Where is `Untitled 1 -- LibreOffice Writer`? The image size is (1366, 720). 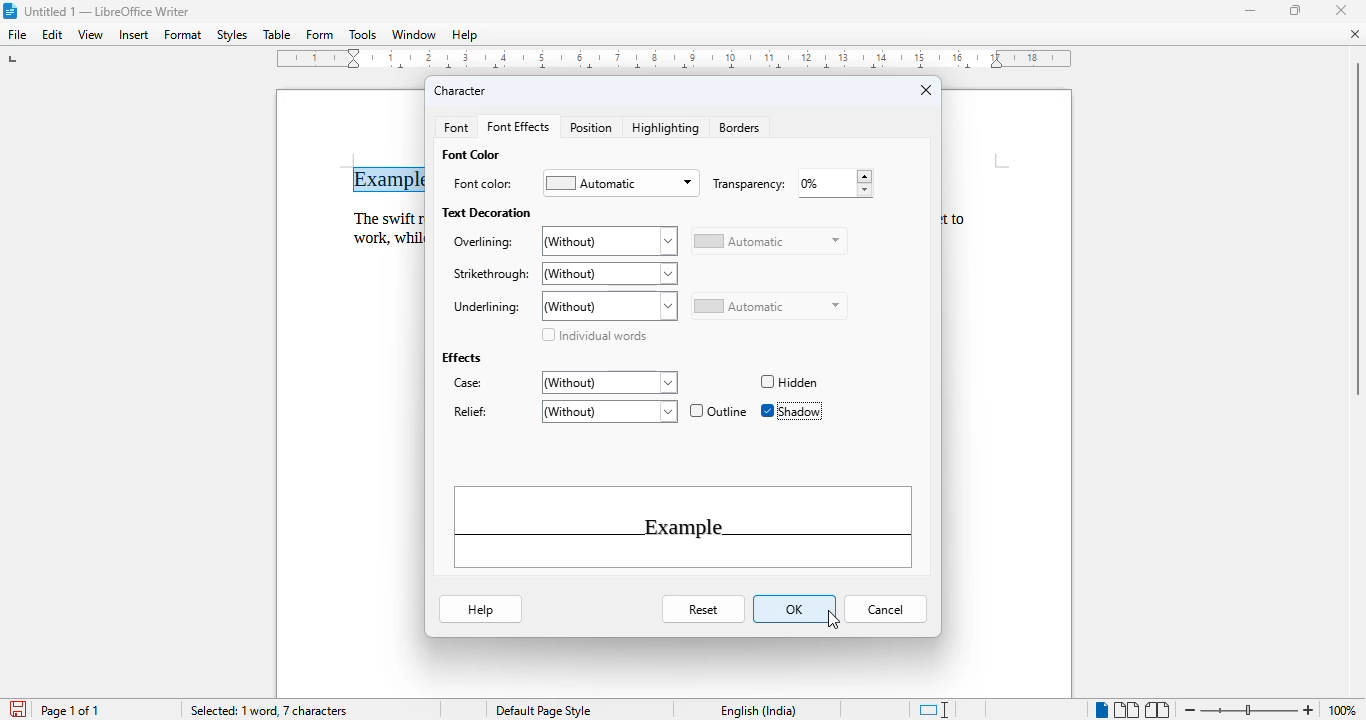 Untitled 1 -- LibreOffice Writer is located at coordinates (109, 11).